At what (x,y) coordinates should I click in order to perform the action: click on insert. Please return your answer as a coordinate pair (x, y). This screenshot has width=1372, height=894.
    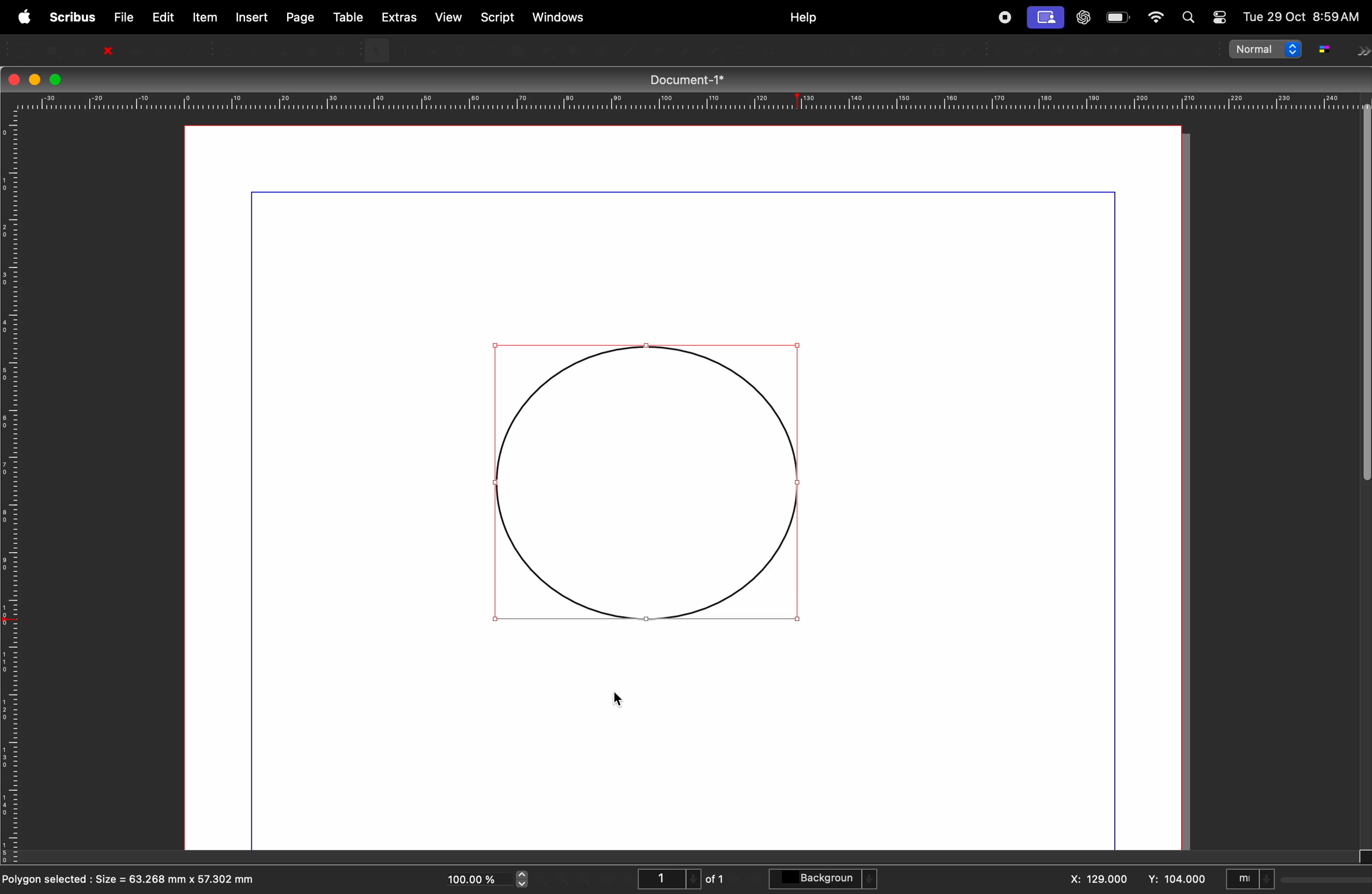
    Looking at the image, I should click on (251, 17).